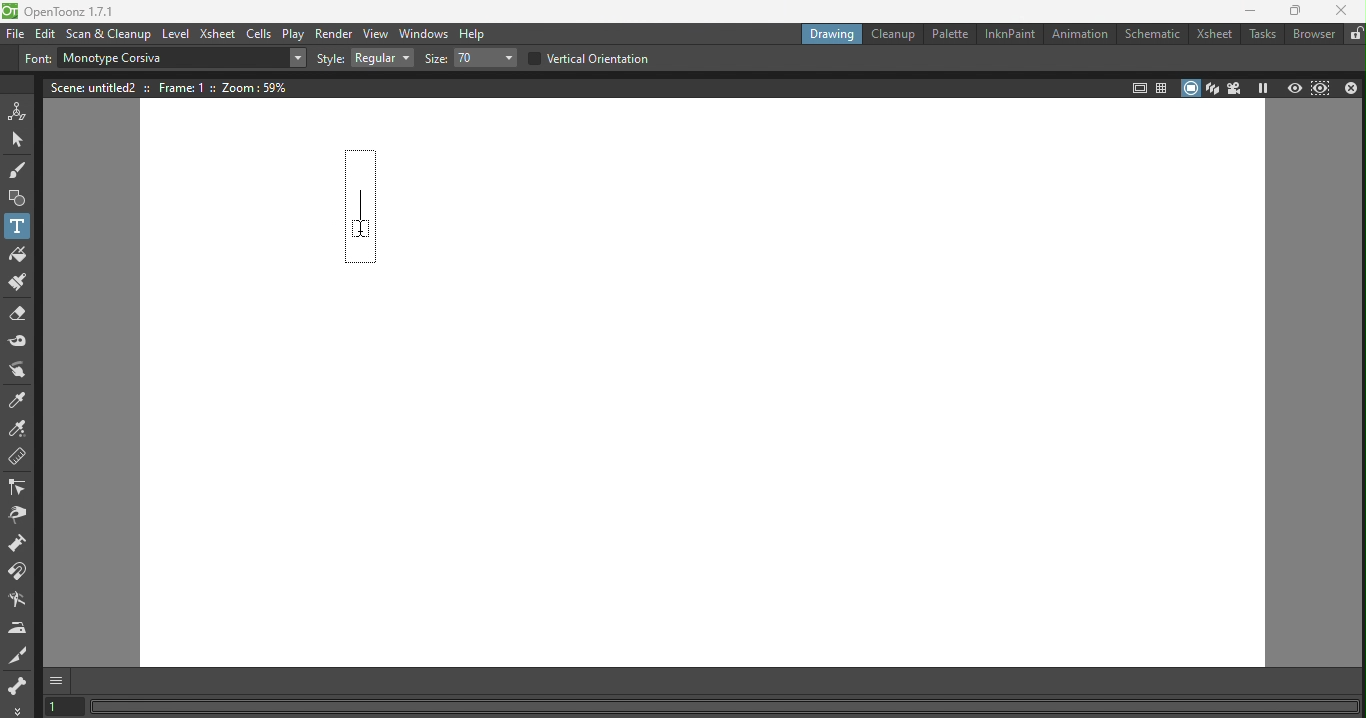  Describe the element at coordinates (489, 57) in the screenshot. I see `Drop down` at that location.